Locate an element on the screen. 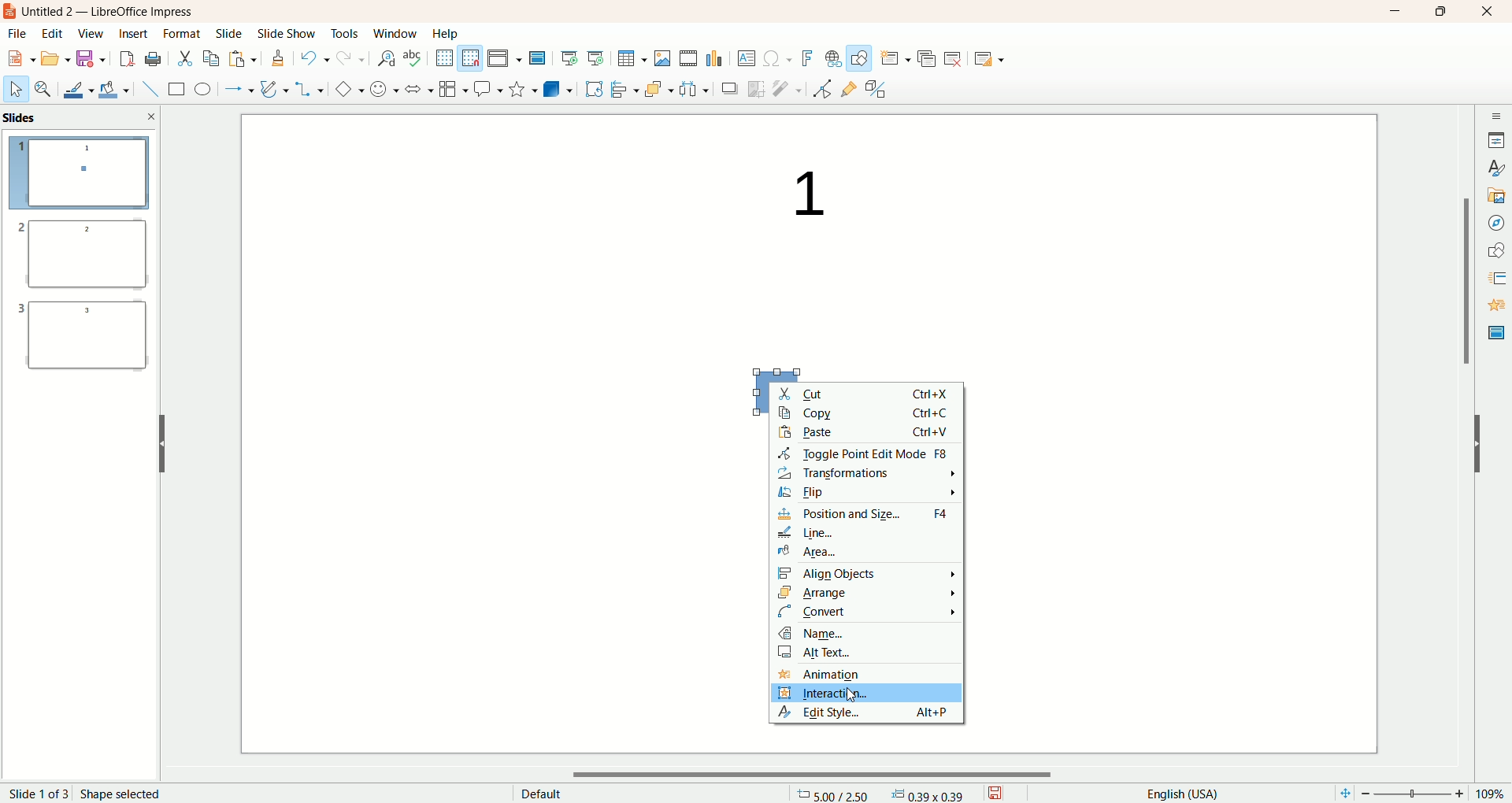 The height and width of the screenshot is (803, 1512). duplicate slide is located at coordinates (928, 56).